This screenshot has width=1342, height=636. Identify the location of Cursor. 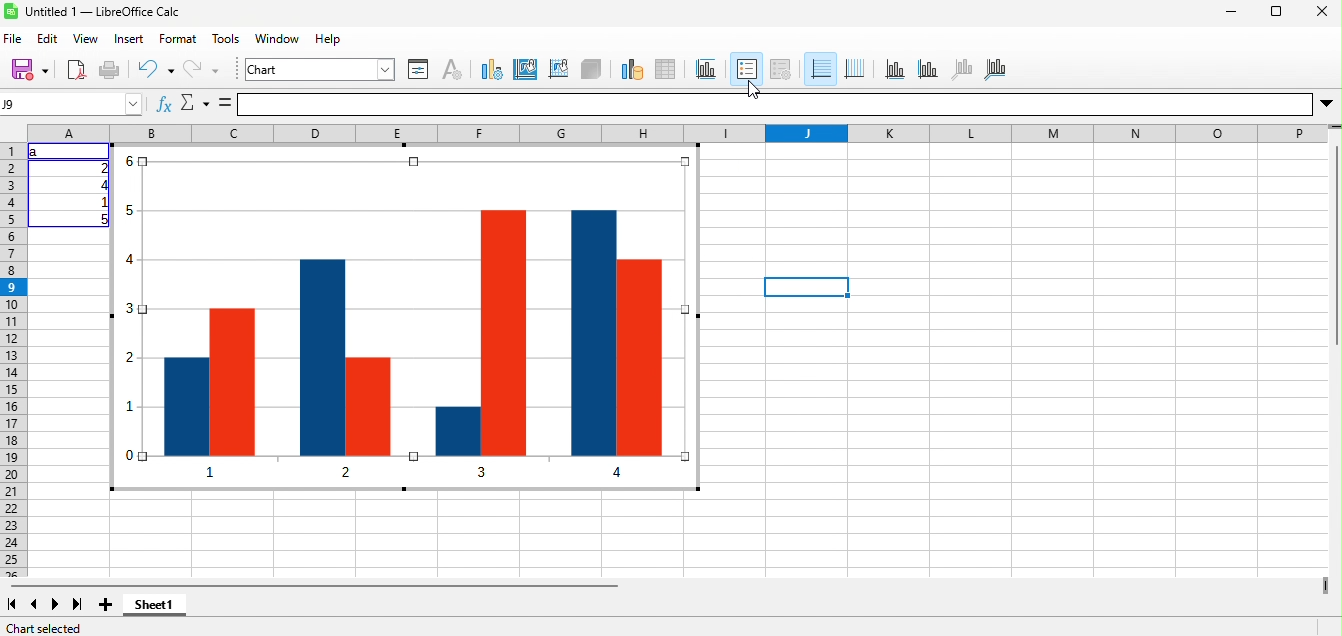
(754, 90).